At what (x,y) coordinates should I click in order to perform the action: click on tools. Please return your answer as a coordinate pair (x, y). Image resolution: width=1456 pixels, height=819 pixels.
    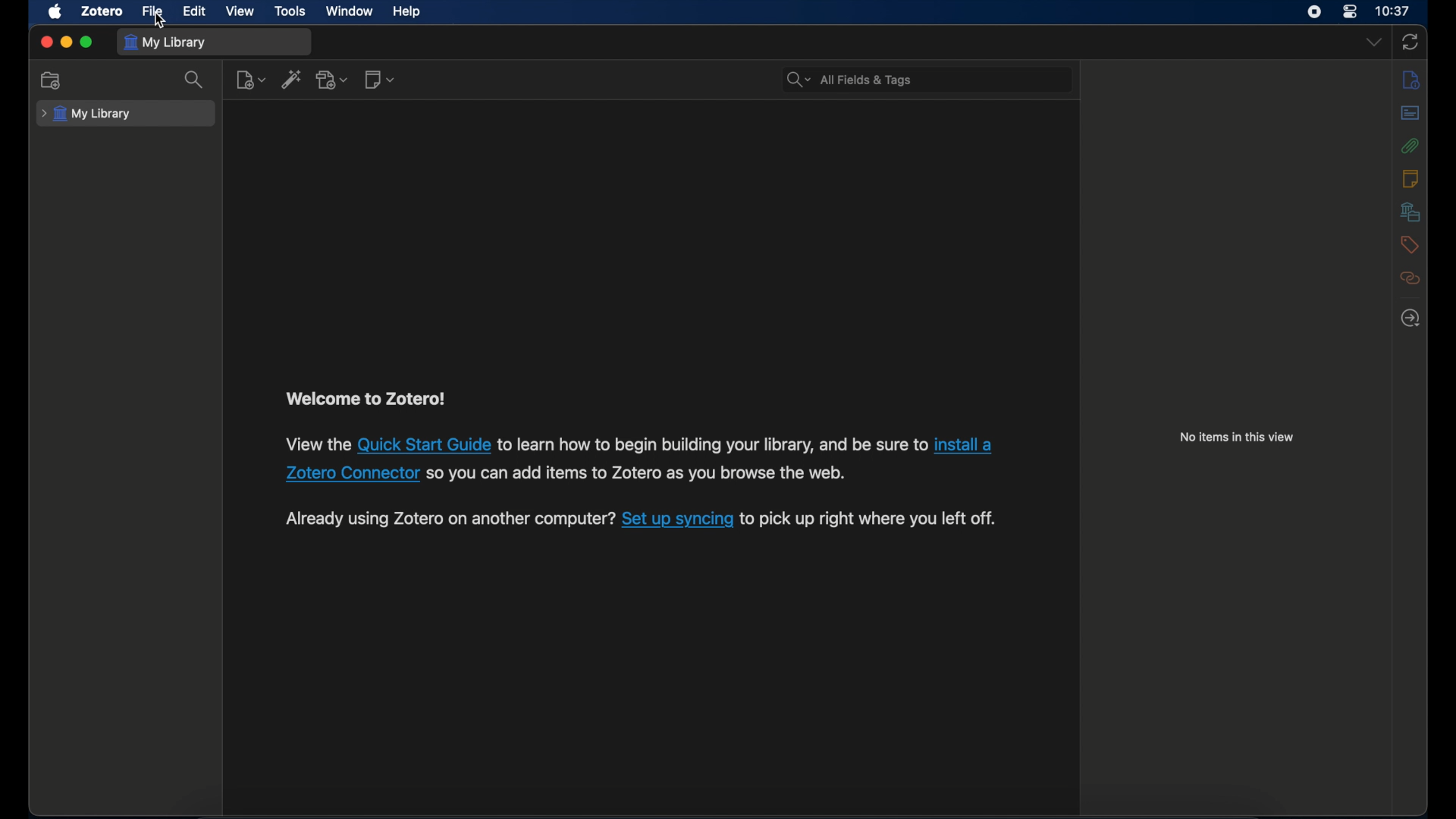
    Looking at the image, I should click on (290, 11).